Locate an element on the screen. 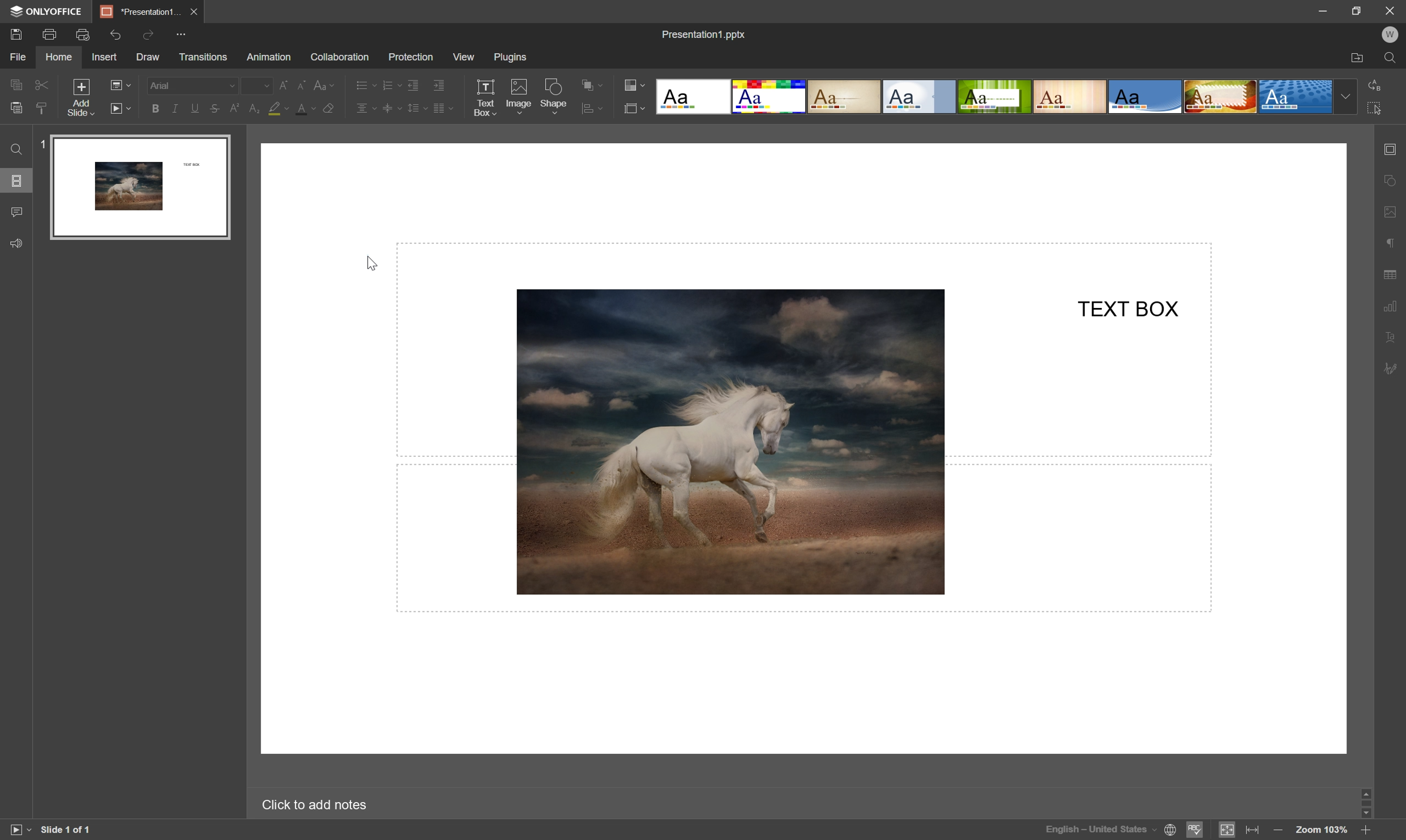 The image size is (1406, 840). file is located at coordinates (15, 57).